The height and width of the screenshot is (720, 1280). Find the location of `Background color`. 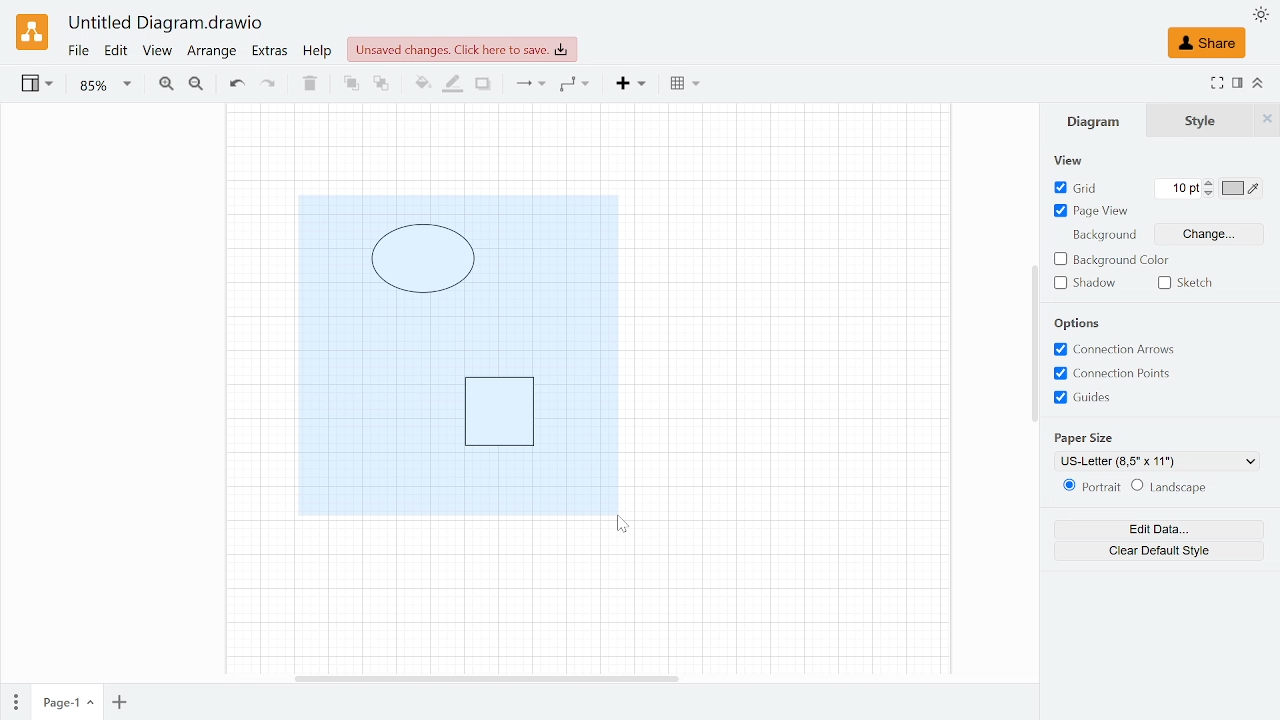

Background color is located at coordinates (1111, 260).